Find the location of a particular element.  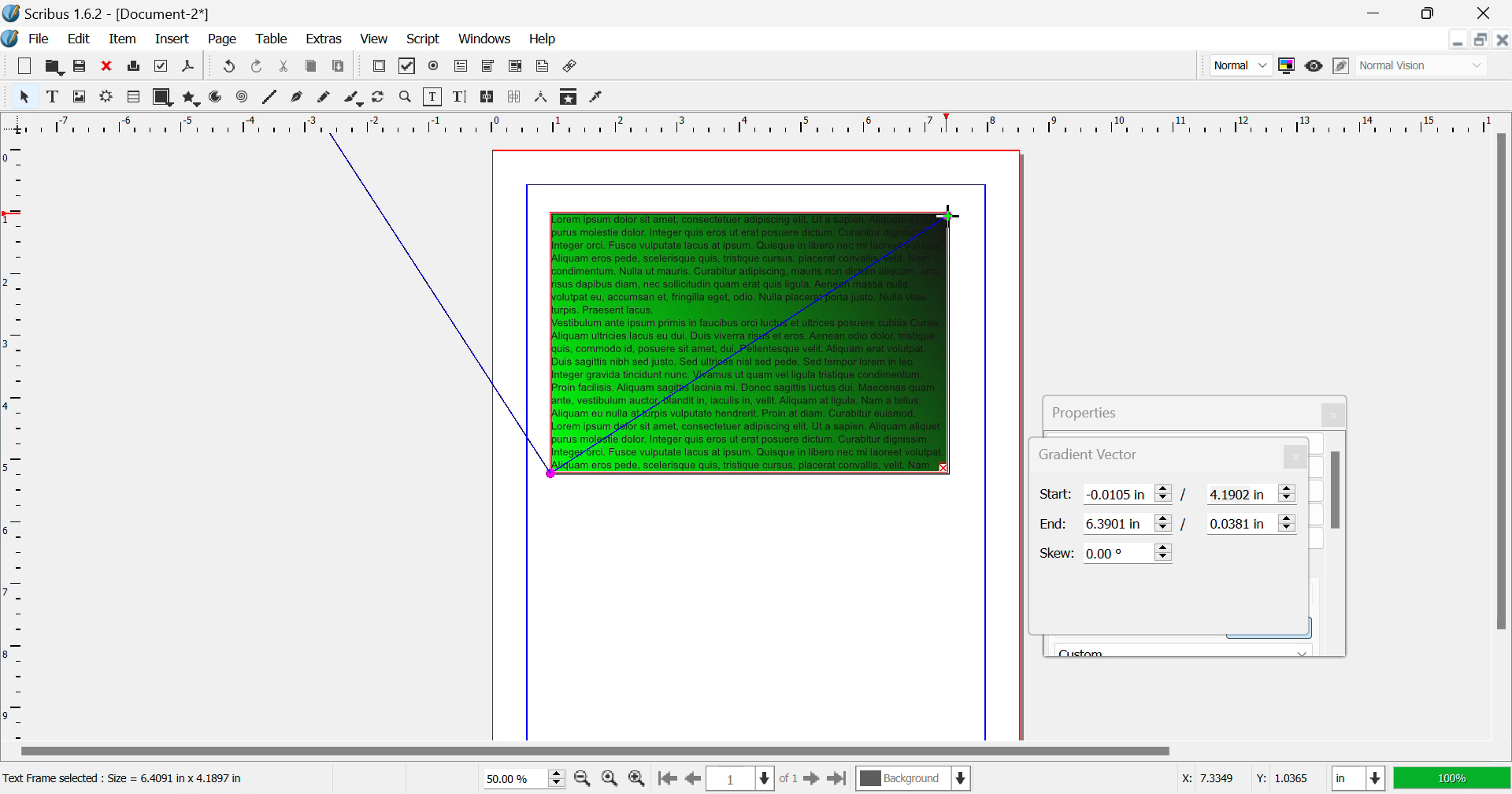

Black is located at coordinates (1184, 647).